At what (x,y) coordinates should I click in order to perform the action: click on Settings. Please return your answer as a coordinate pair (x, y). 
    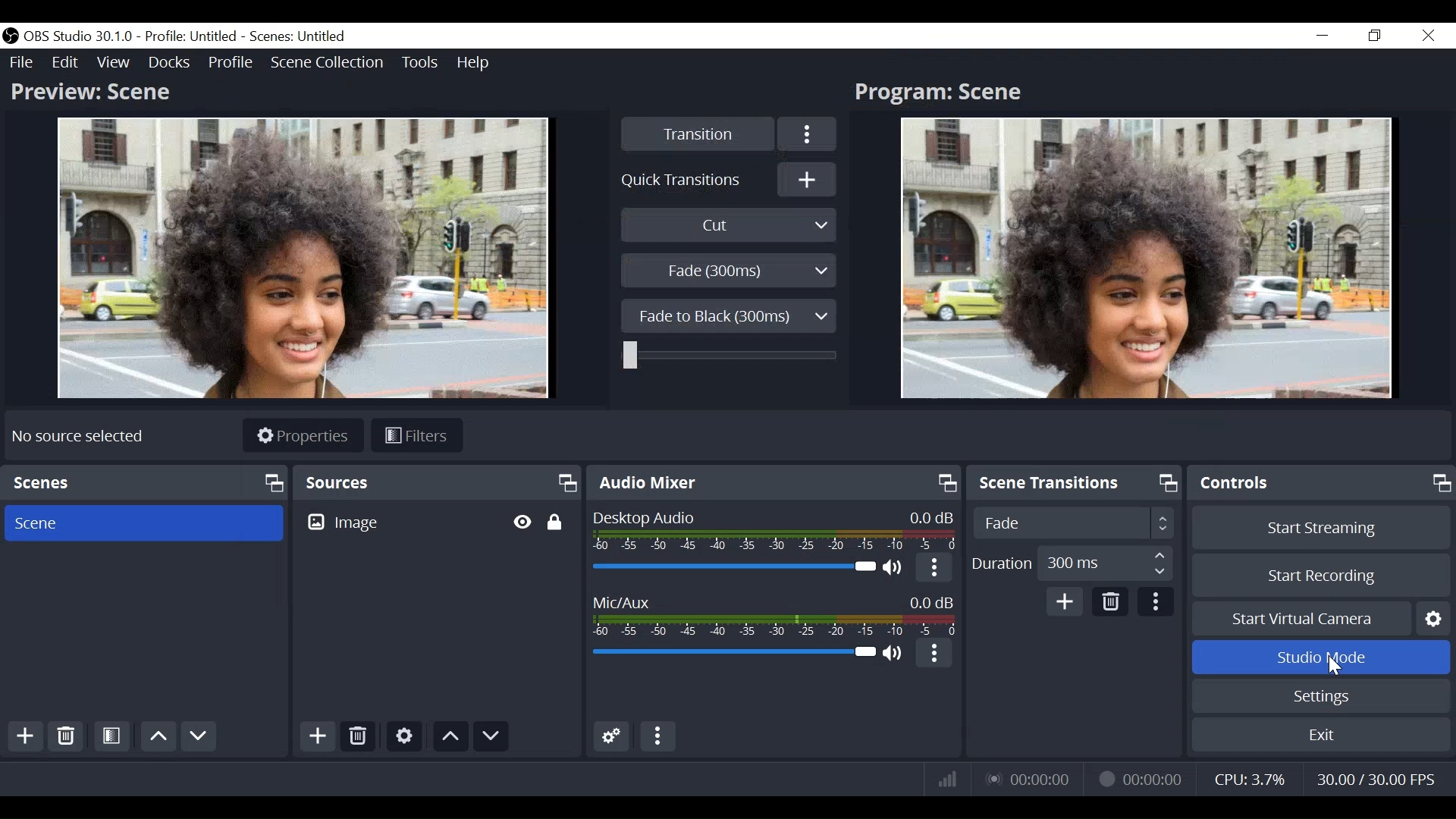
    Looking at the image, I should click on (406, 736).